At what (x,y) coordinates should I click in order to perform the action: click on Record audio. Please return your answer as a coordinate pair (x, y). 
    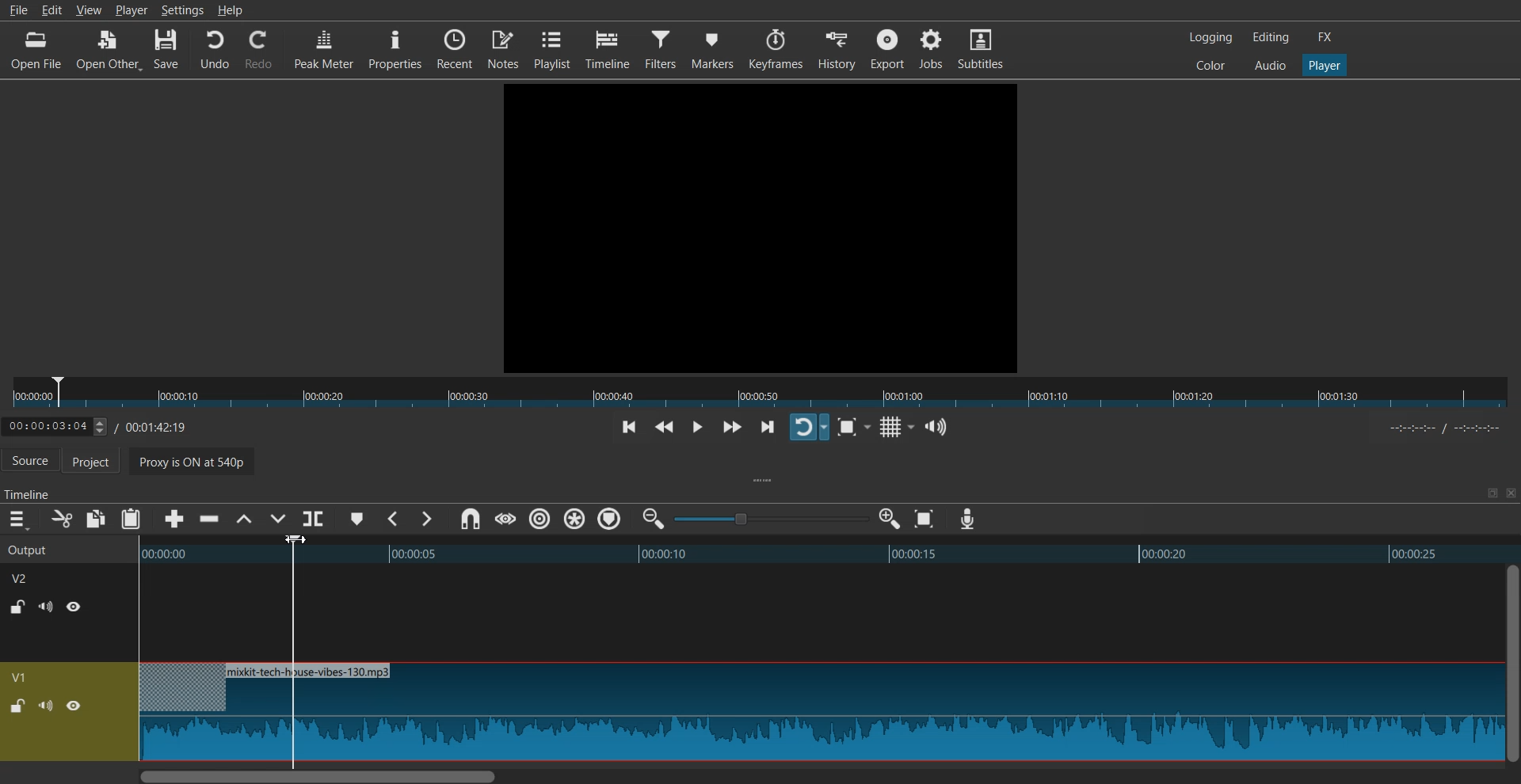
    Looking at the image, I should click on (966, 519).